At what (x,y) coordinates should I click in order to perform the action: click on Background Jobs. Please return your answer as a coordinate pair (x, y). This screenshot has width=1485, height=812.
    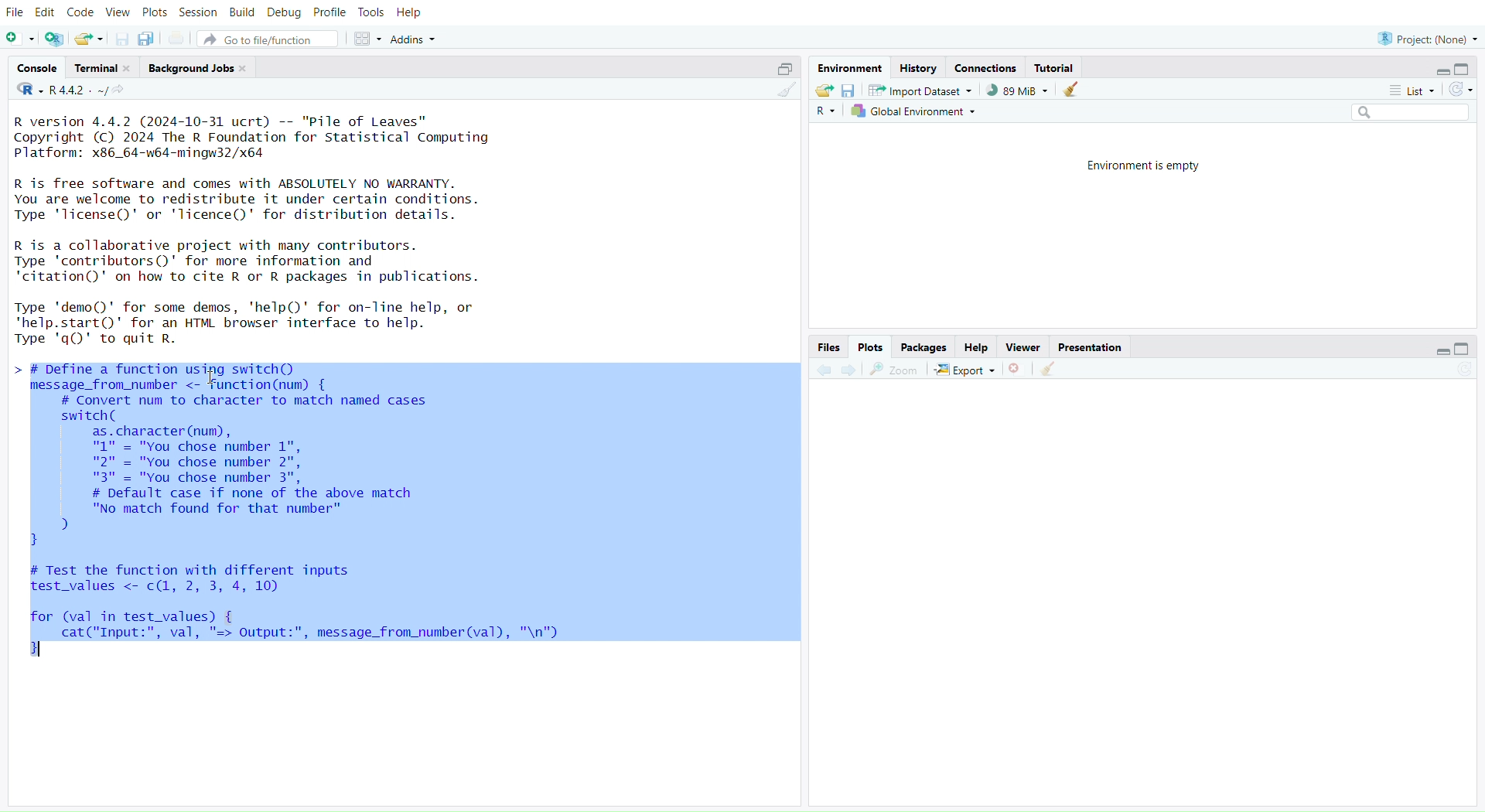
    Looking at the image, I should click on (198, 65).